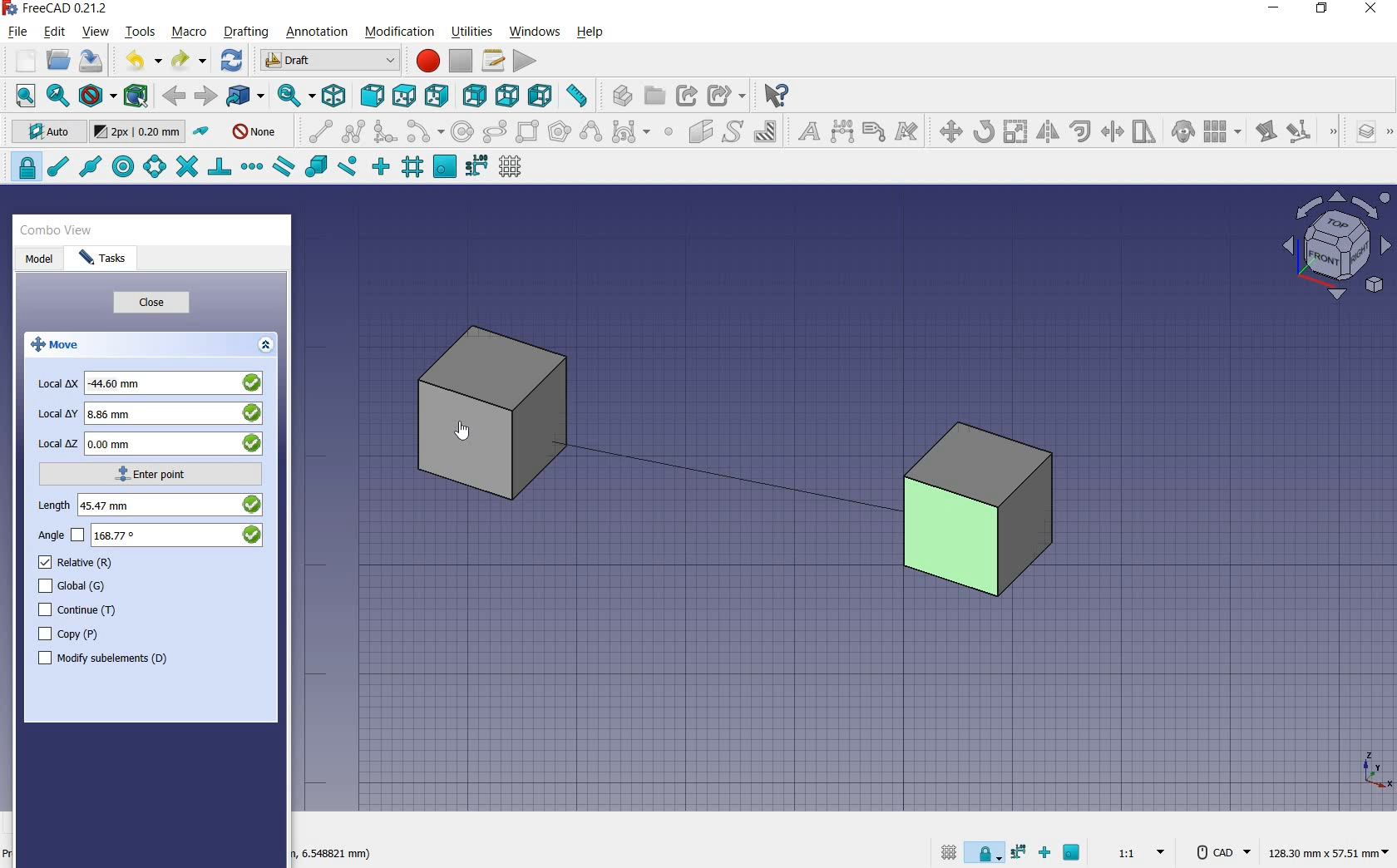 This screenshot has width=1397, height=868. What do you see at coordinates (189, 33) in the screenshot?
I see `macro` at bounding box center [189, 33].